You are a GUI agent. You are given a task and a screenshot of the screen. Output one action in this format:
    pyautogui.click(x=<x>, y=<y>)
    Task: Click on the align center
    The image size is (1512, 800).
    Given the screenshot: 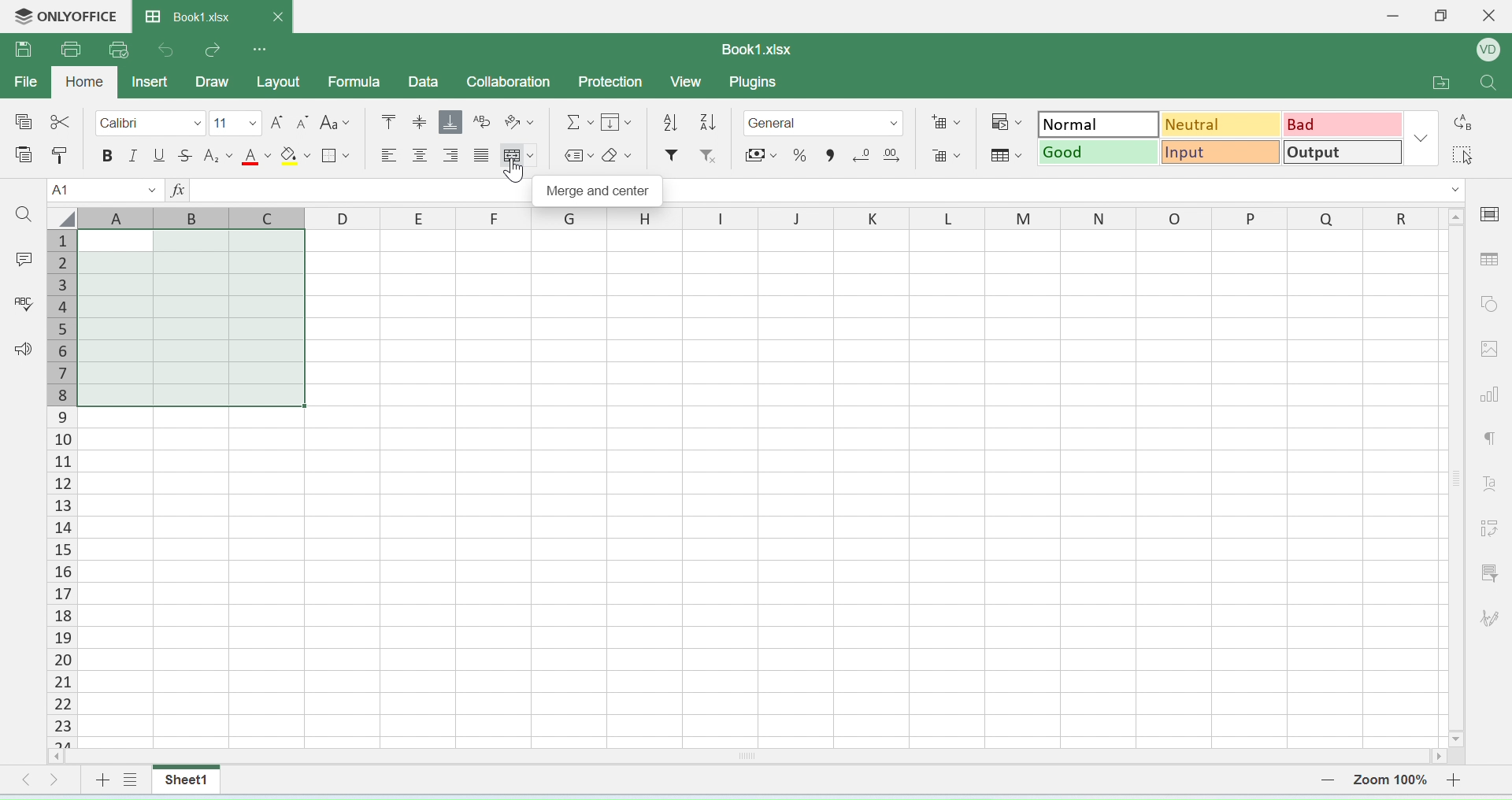 What is the action you would take?
    pyautogui.click(x=421, y=157)
    